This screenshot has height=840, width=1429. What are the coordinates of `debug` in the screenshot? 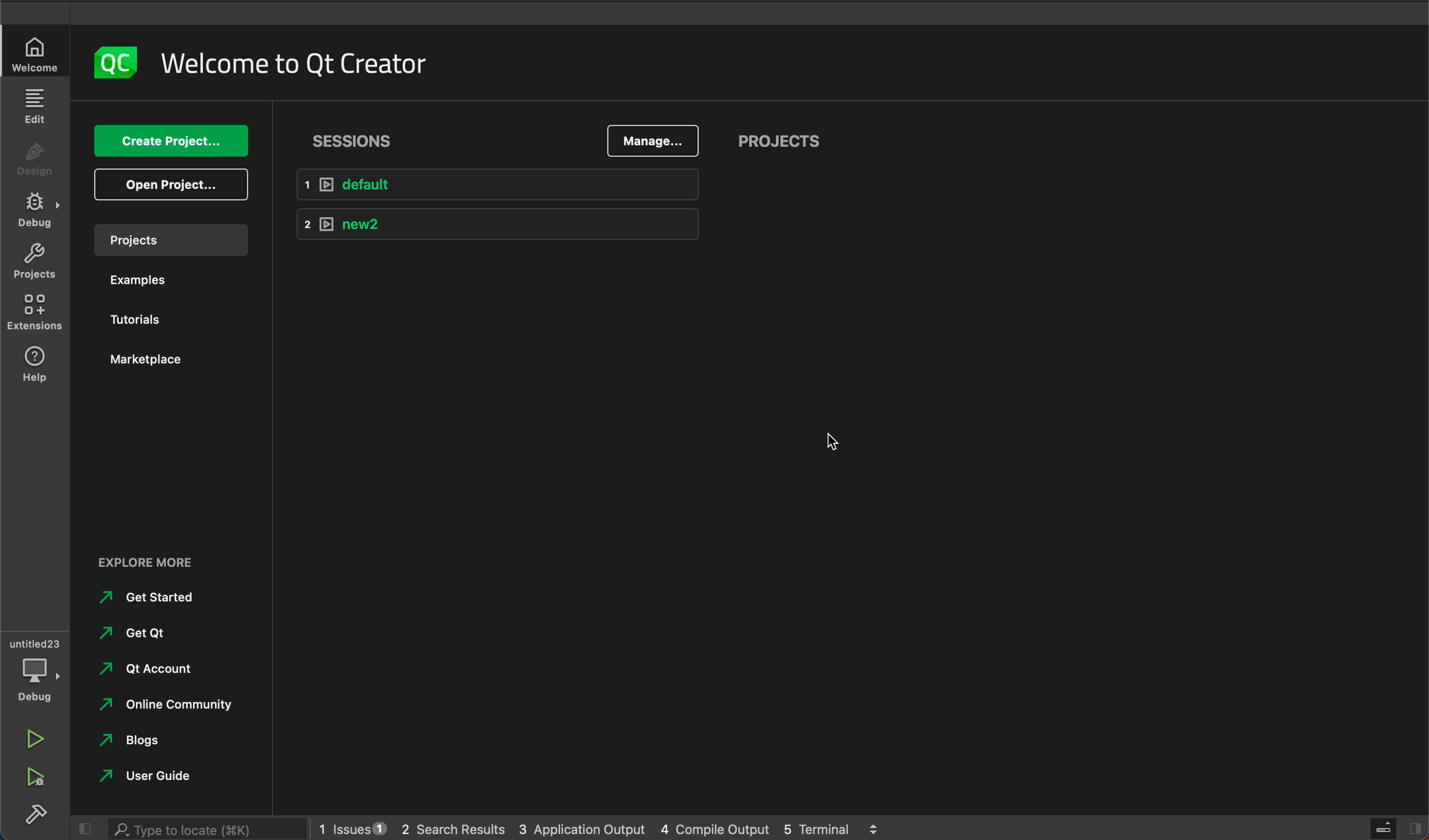 It's located at (40, 672).